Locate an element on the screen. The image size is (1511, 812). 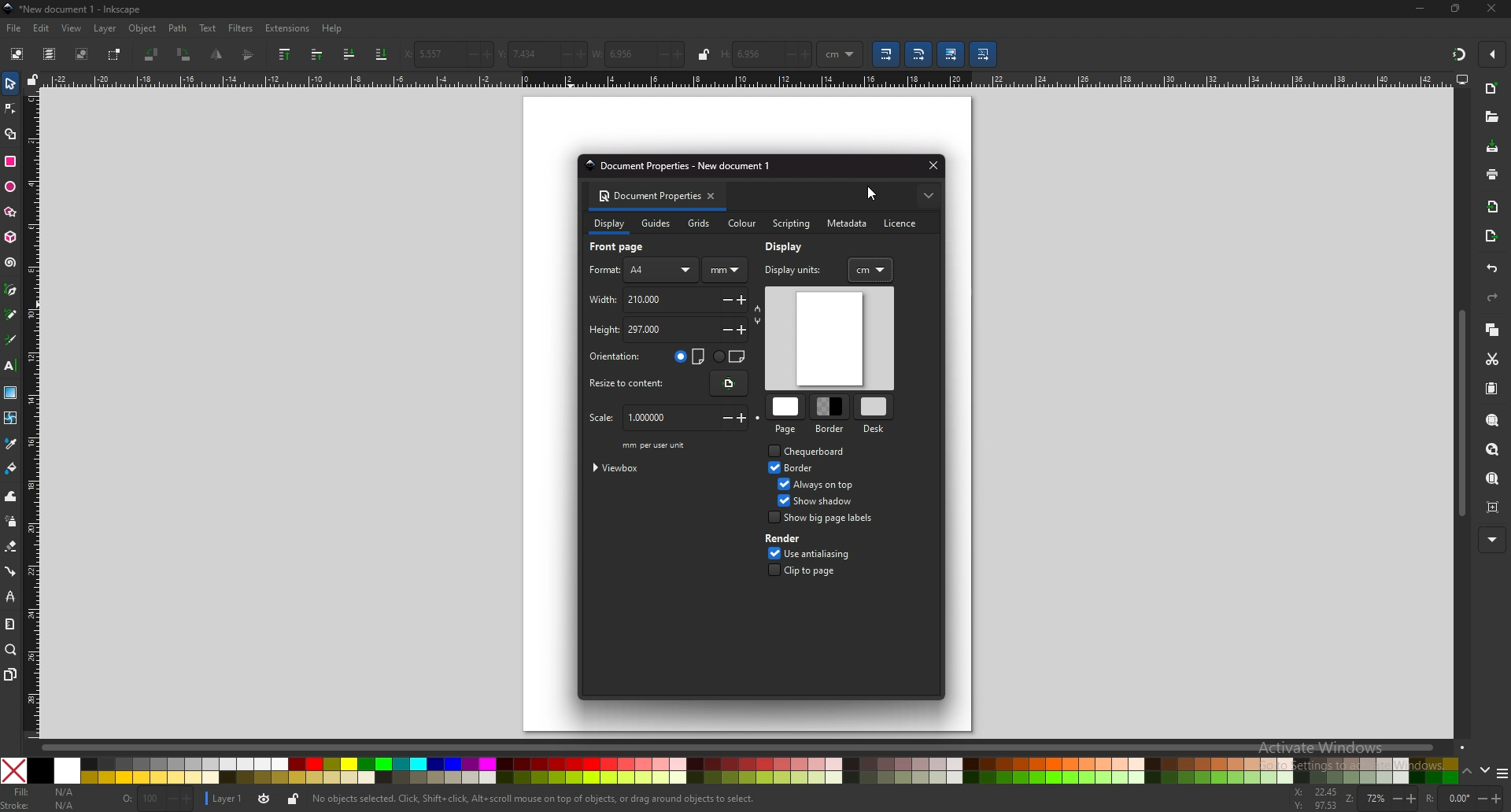
move patterns is located at coordinates (985, 54).